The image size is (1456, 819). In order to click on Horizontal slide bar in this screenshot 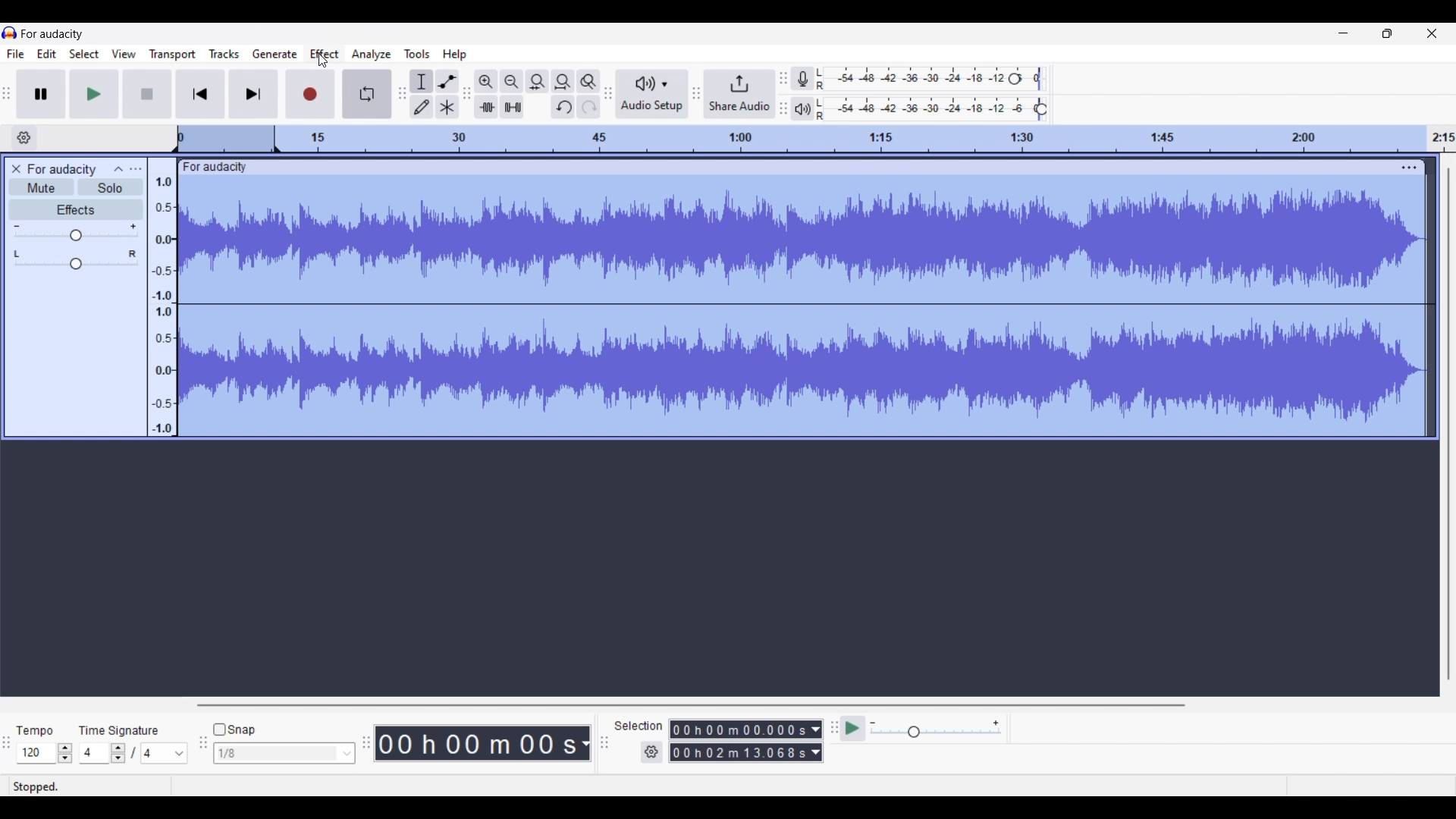, I will do `click(691, 705)`.